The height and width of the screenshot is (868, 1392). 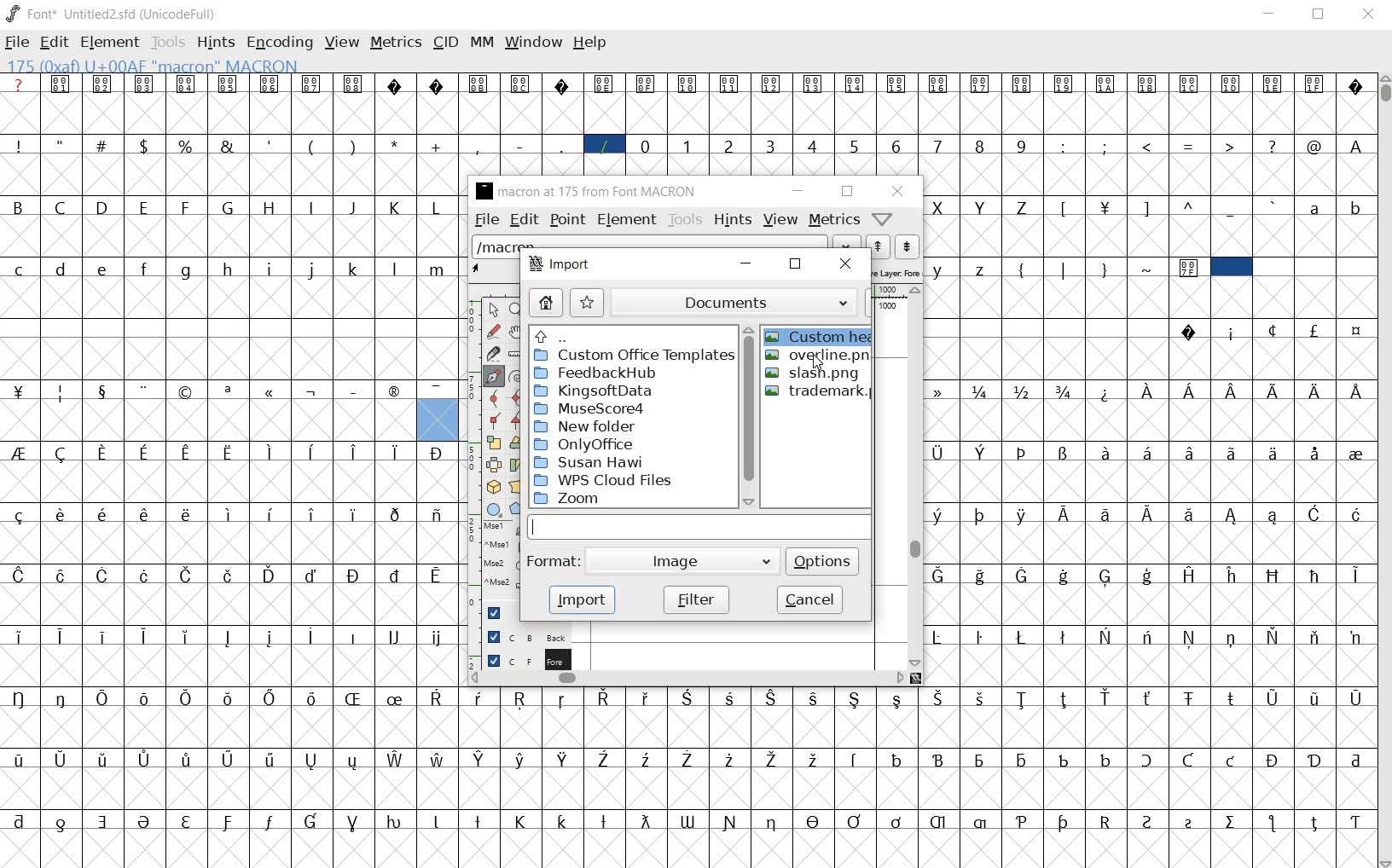 What do you see at coordinates (105, 391) in the screenshot?
I see `Symbol` at bounding box center [105, 391].